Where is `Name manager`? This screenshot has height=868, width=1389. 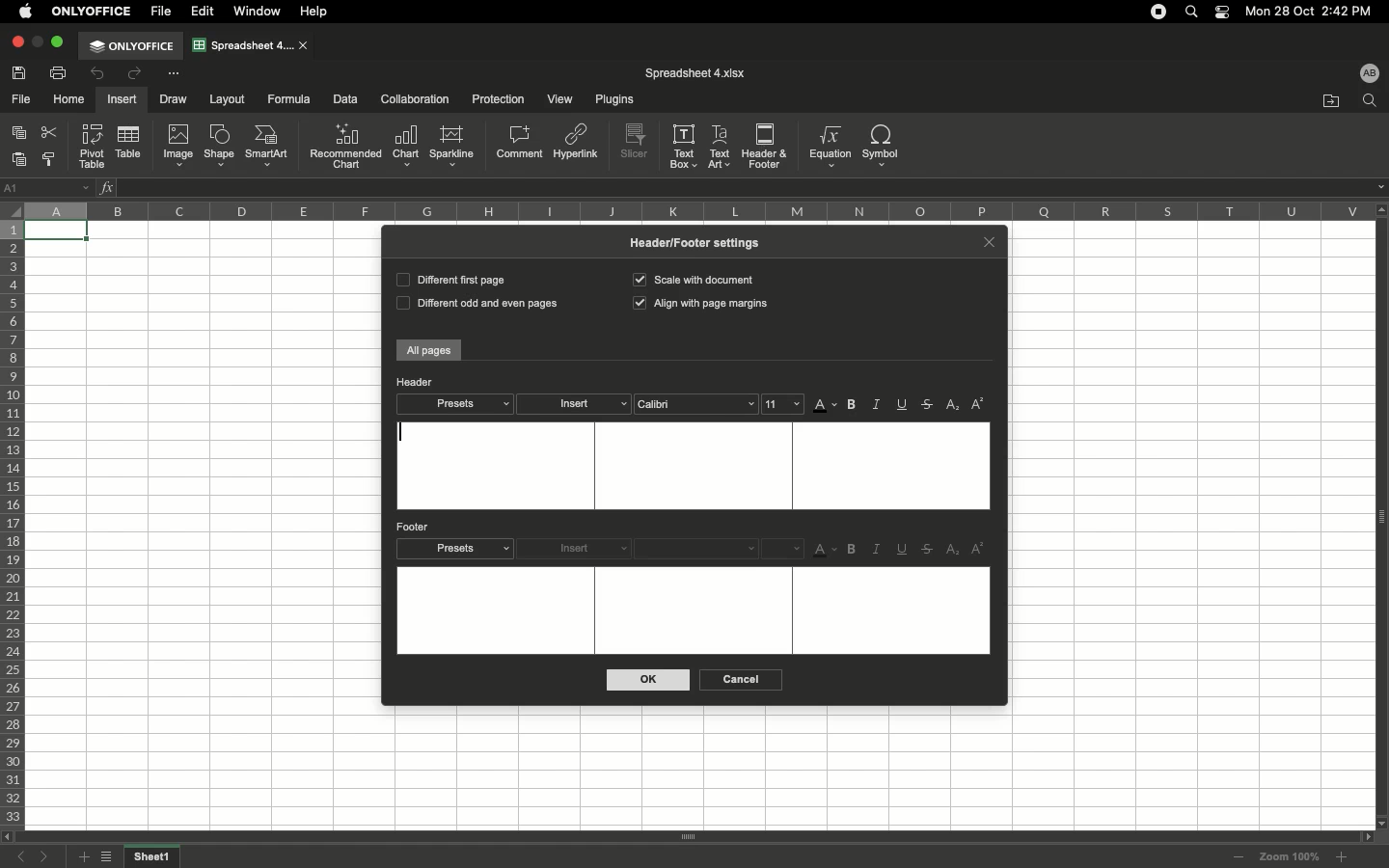
Name manager is located at coordinates (48, 186).